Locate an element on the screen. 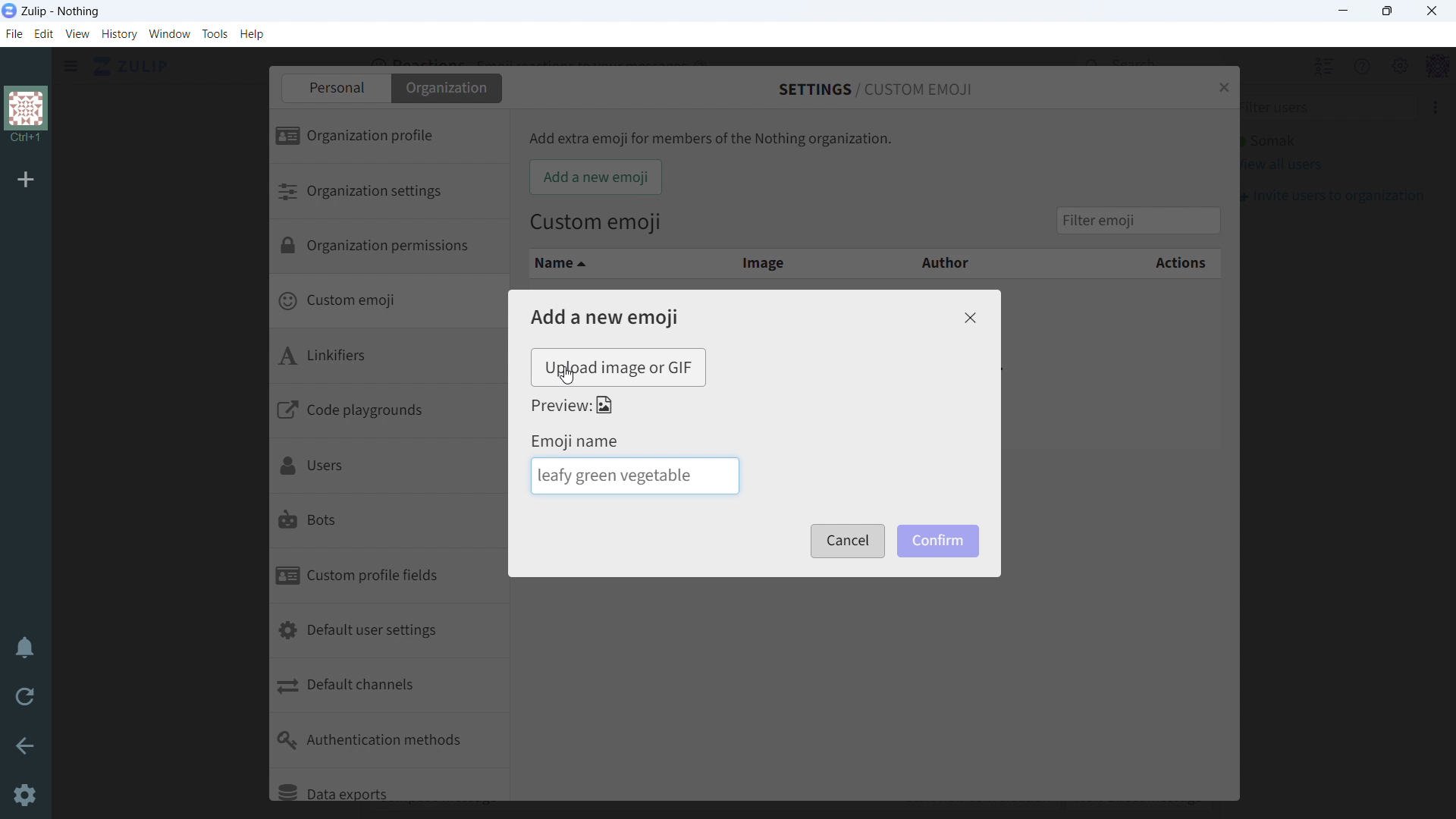 Image resolution: width=1456 pixels, height=819 pixels. invite users is located at coordinates (1419, 108).